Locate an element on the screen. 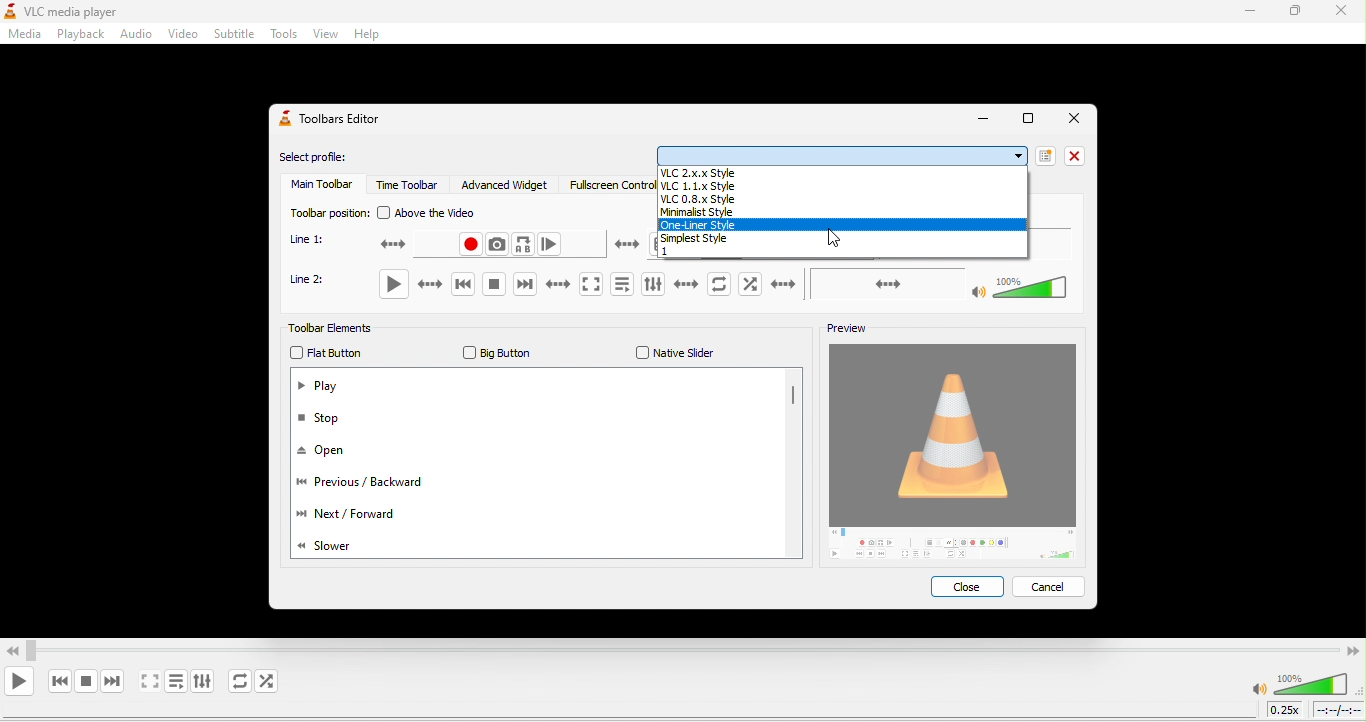  cancel is located at coordinates (1053, 586).